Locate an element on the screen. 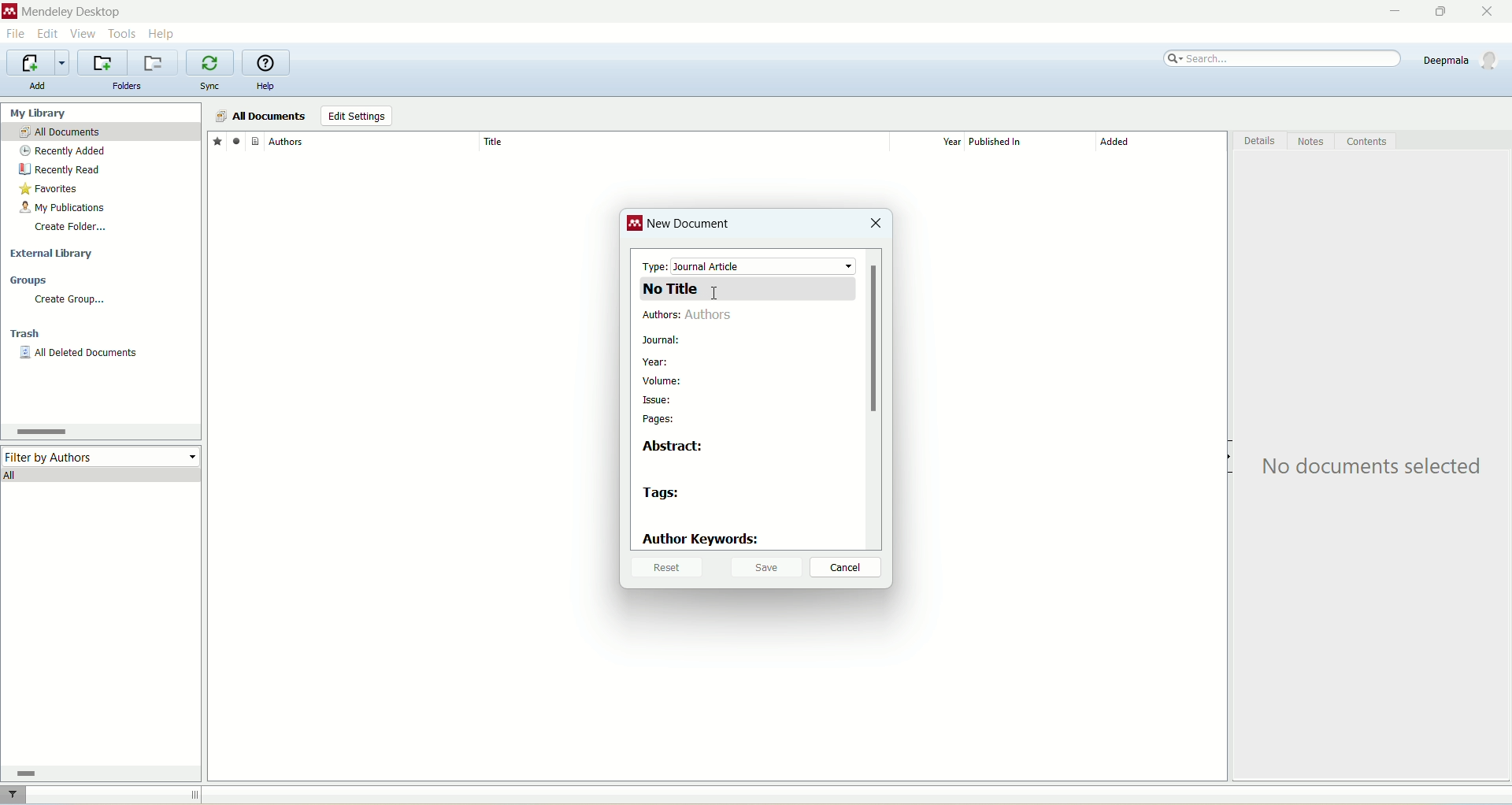 Image resolution: width=1512 pixels, height=805 pixels. account is located at coordinates (1463, 60).